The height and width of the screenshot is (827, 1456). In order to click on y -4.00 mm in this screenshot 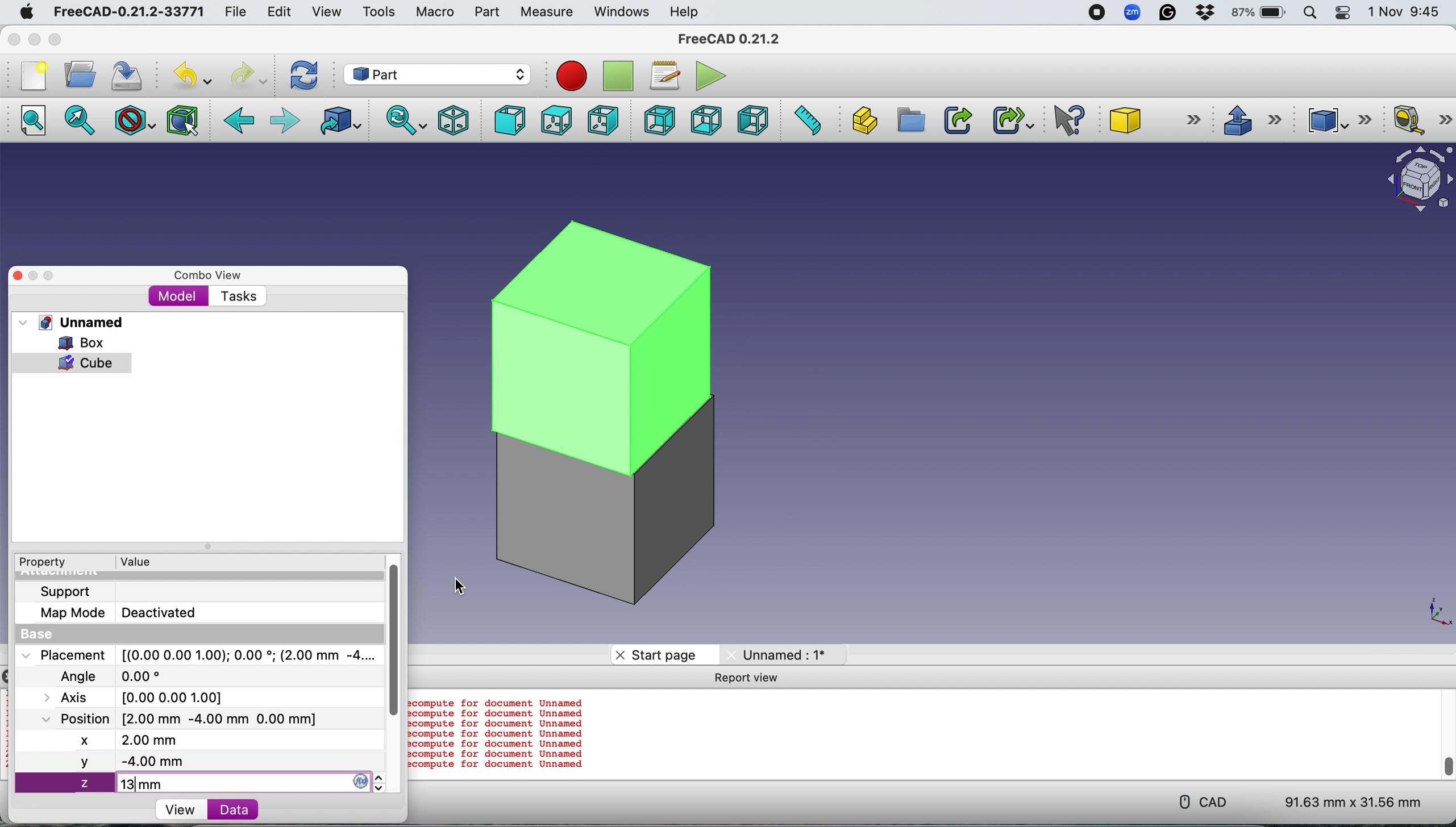, I will do `click(195, 760)`.